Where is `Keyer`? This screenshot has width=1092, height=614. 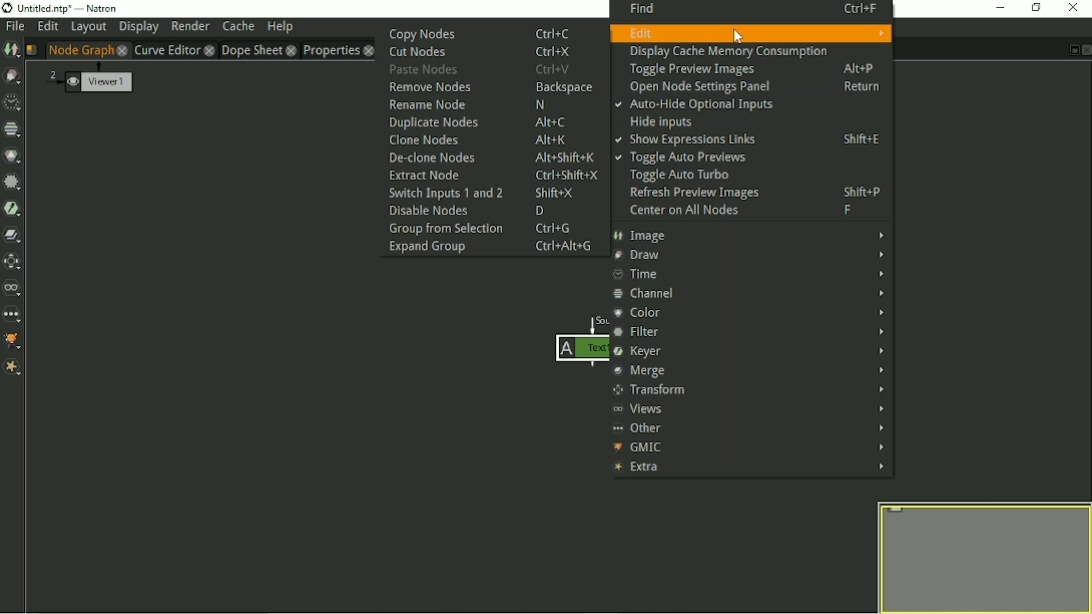
Keyer is located at coordinates (752, 350).